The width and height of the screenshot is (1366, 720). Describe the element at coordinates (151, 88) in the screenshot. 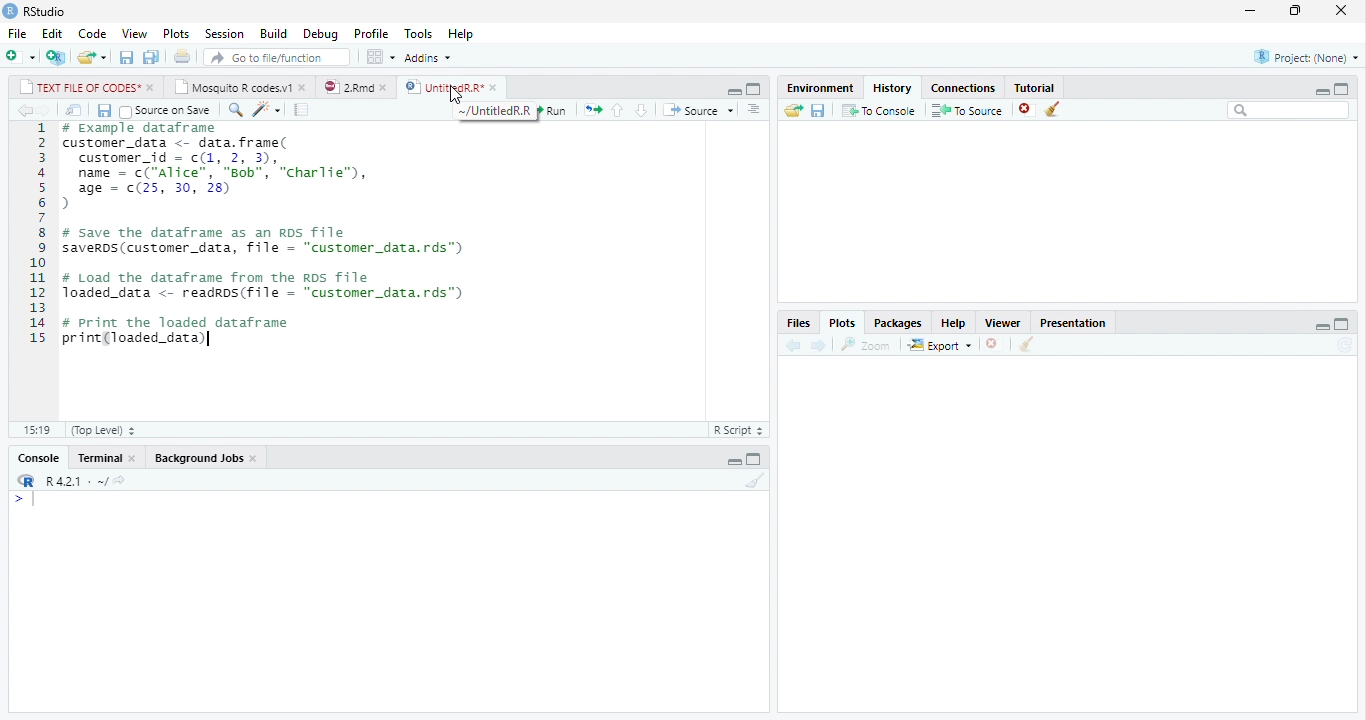

I see `close` at that location.